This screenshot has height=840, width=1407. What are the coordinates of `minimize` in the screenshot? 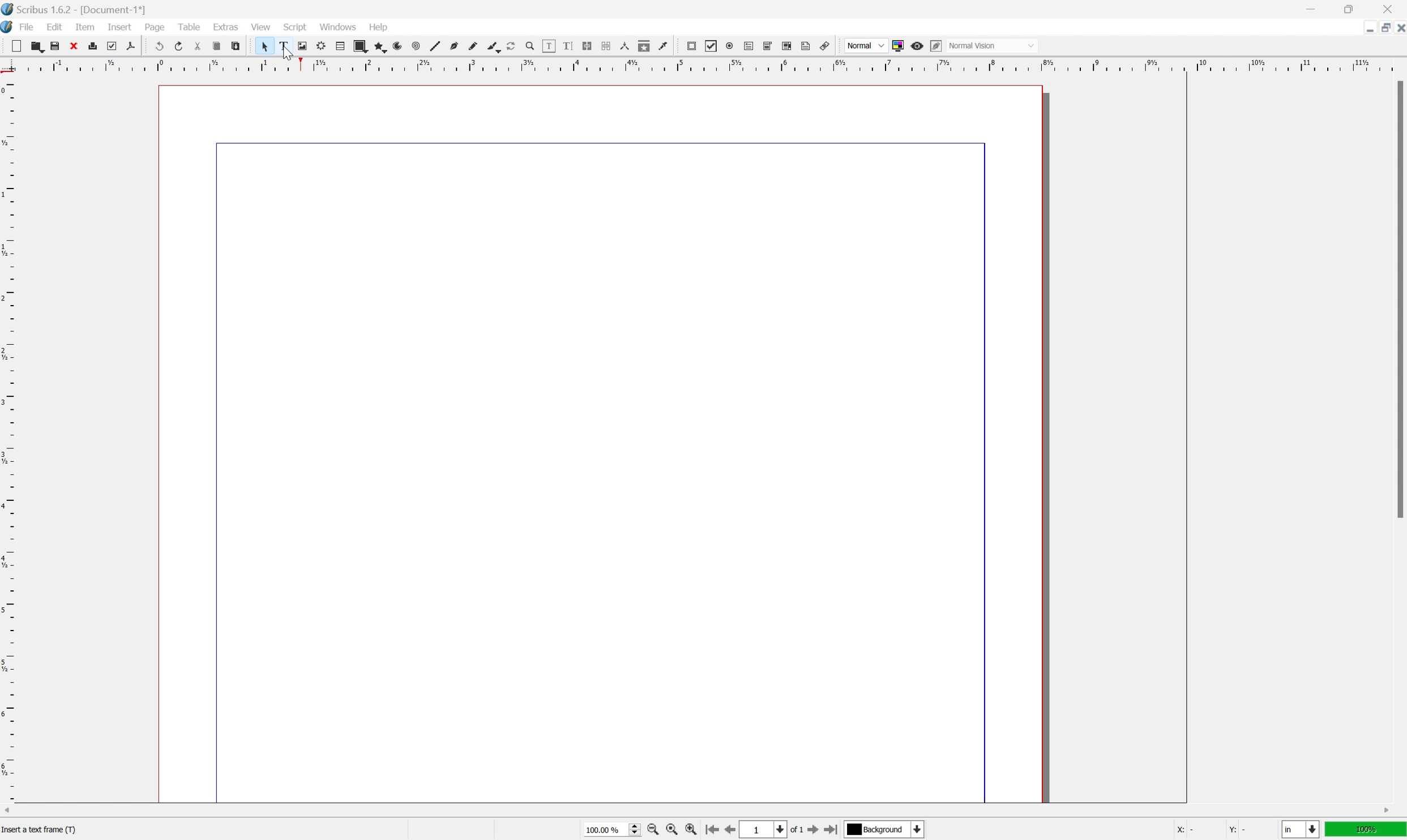 It's located at (1310, 8).